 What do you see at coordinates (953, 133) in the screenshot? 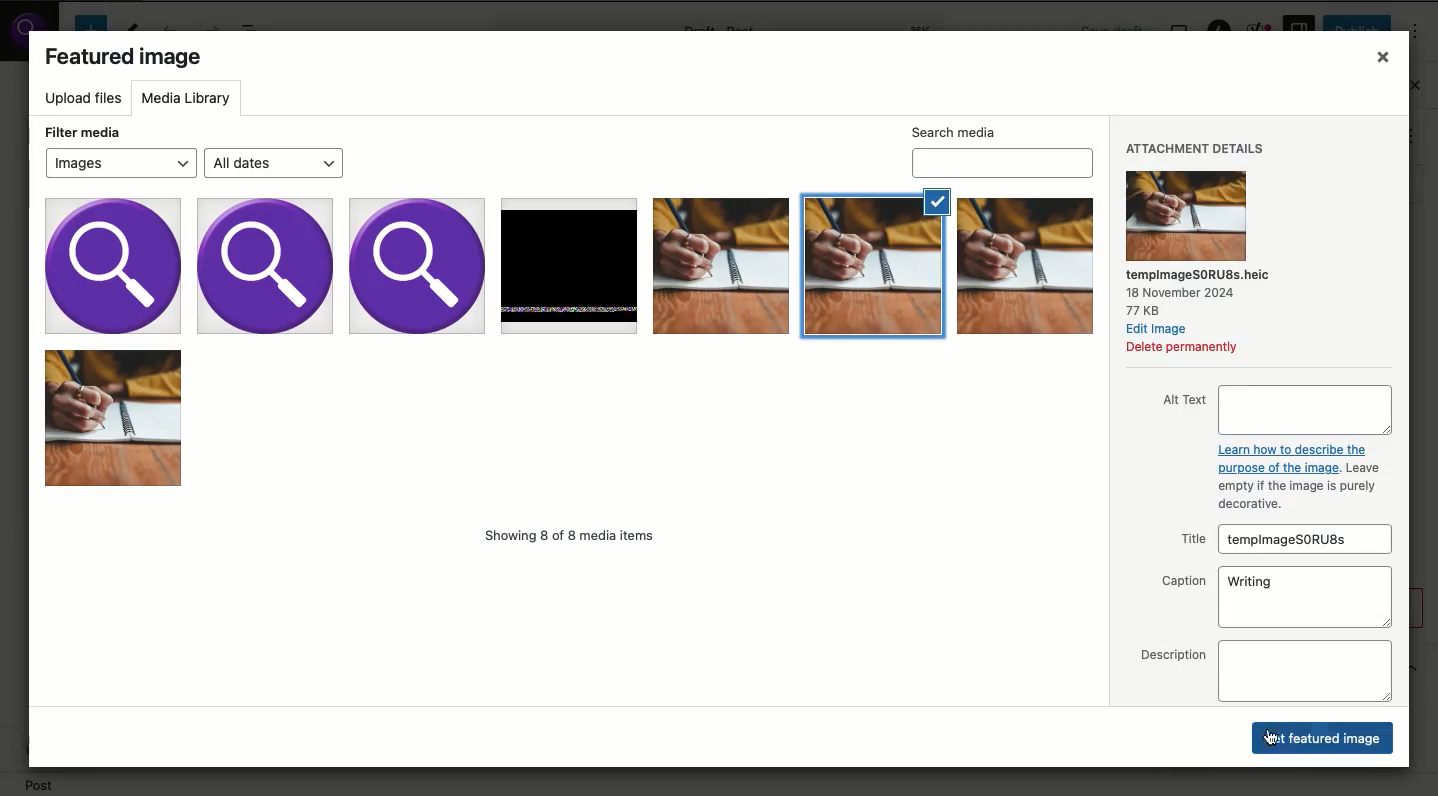
I see `Search media` at bounding box center [953, 133].